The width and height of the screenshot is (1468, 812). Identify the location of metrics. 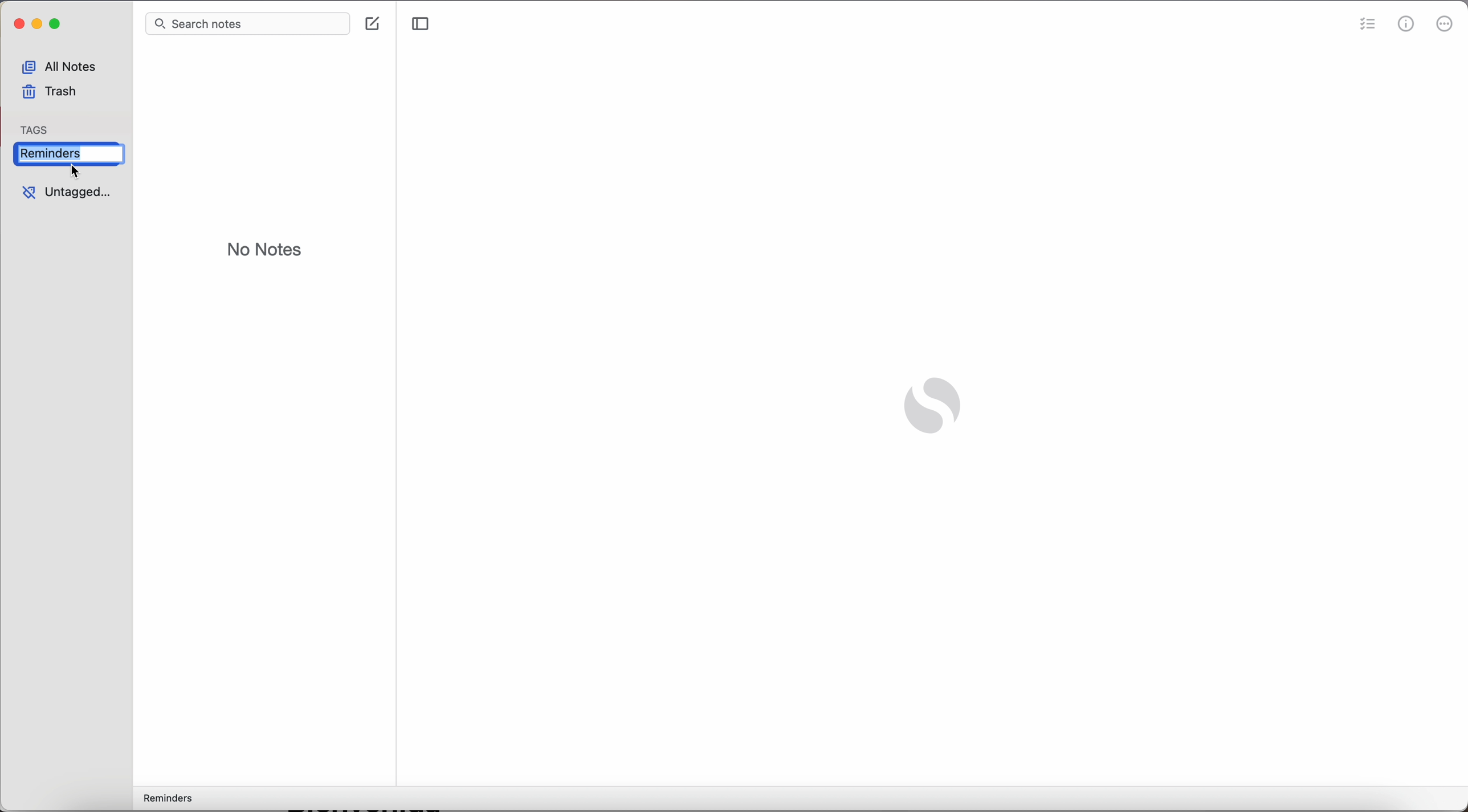
(1408, 25).